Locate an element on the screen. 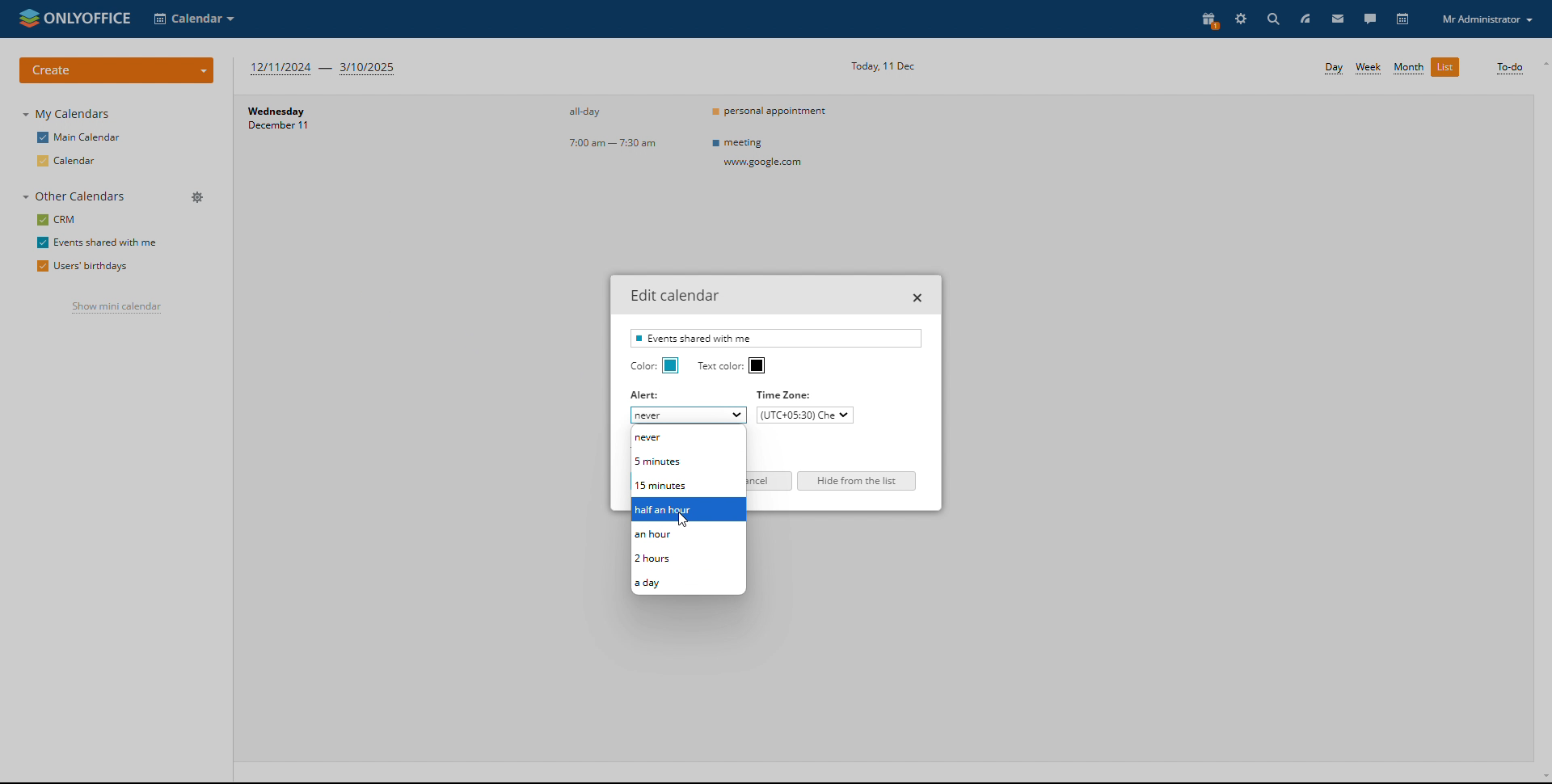 This screenshot has width=1552, height=784. calendar is located at coordinates (1404, 19).